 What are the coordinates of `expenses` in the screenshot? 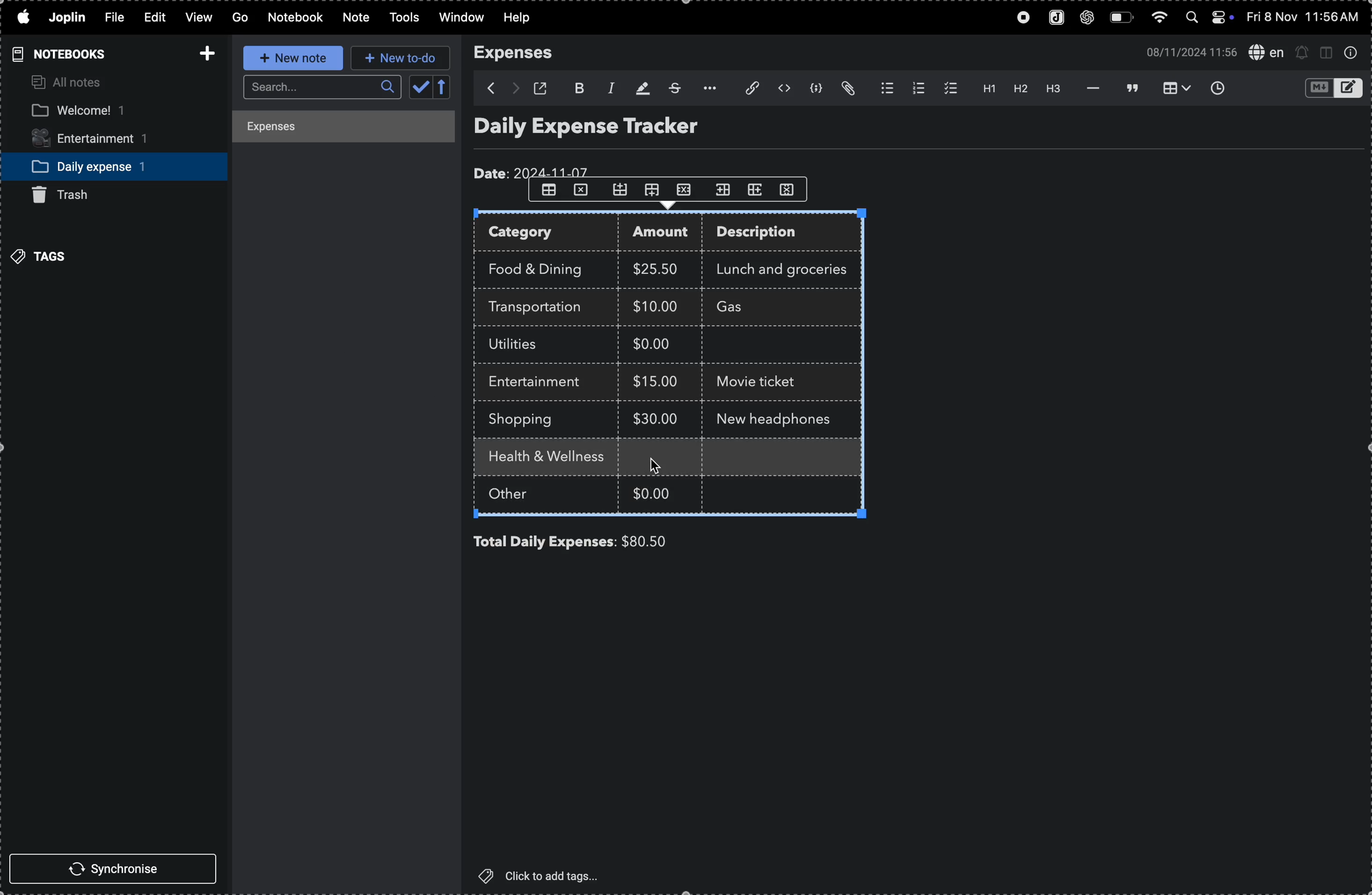 It's located at (521, 53).